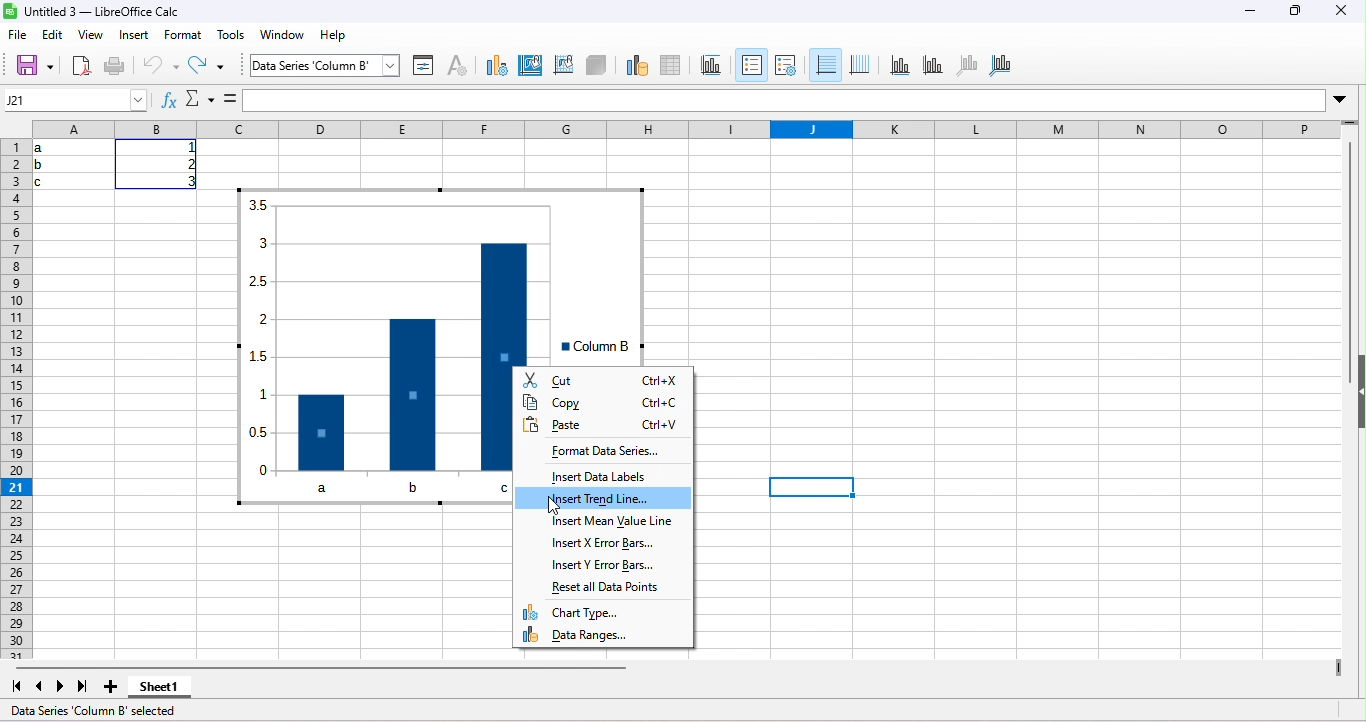 The height and width of the screenshot is (722, 1366). What do you see at coordinates (634, 64) in the screenshot?
I see `data ranges` at bounding box center [634, 64].